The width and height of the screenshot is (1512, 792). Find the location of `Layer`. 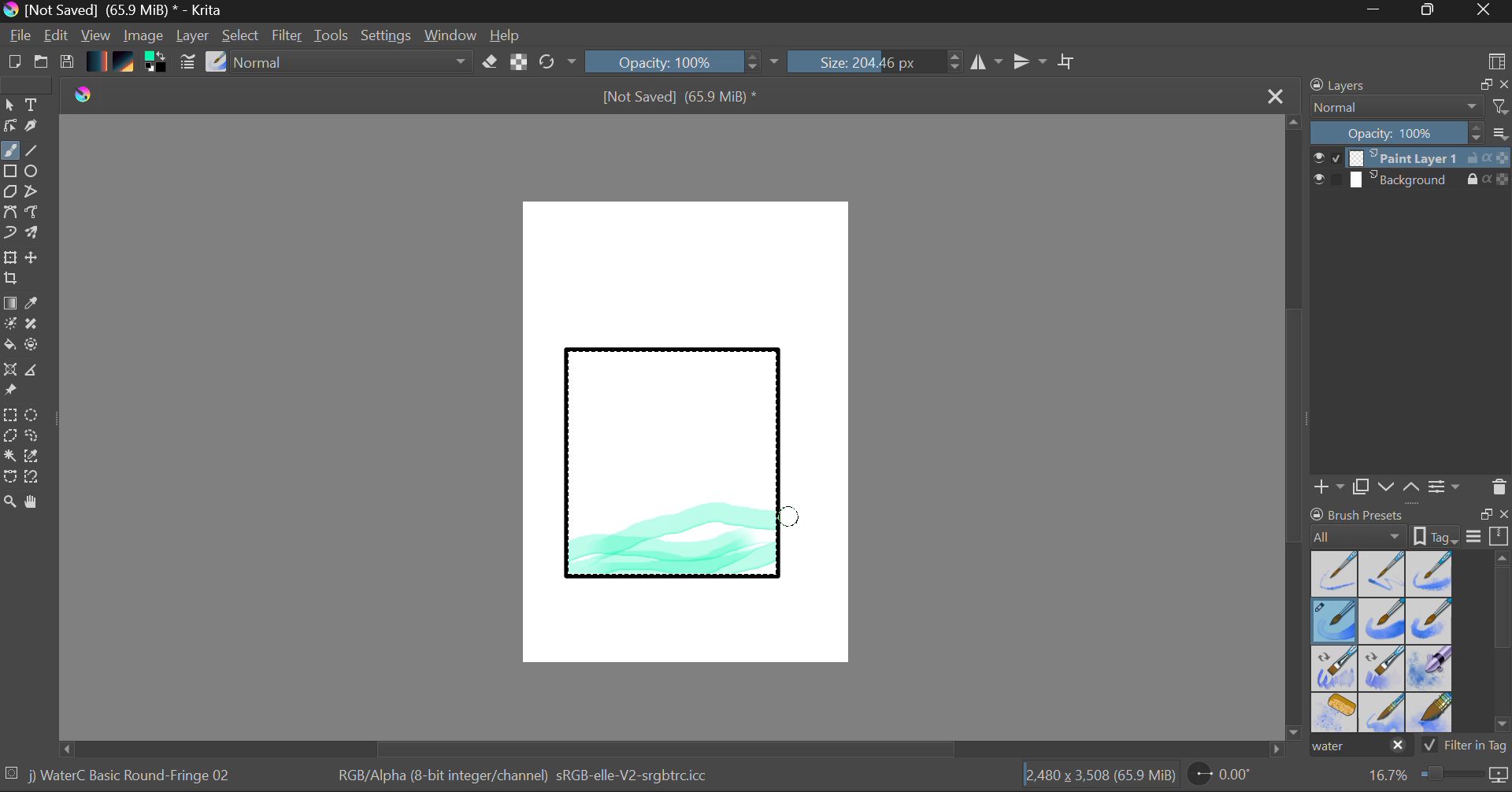

Layer is located at coordinates (195, 35).